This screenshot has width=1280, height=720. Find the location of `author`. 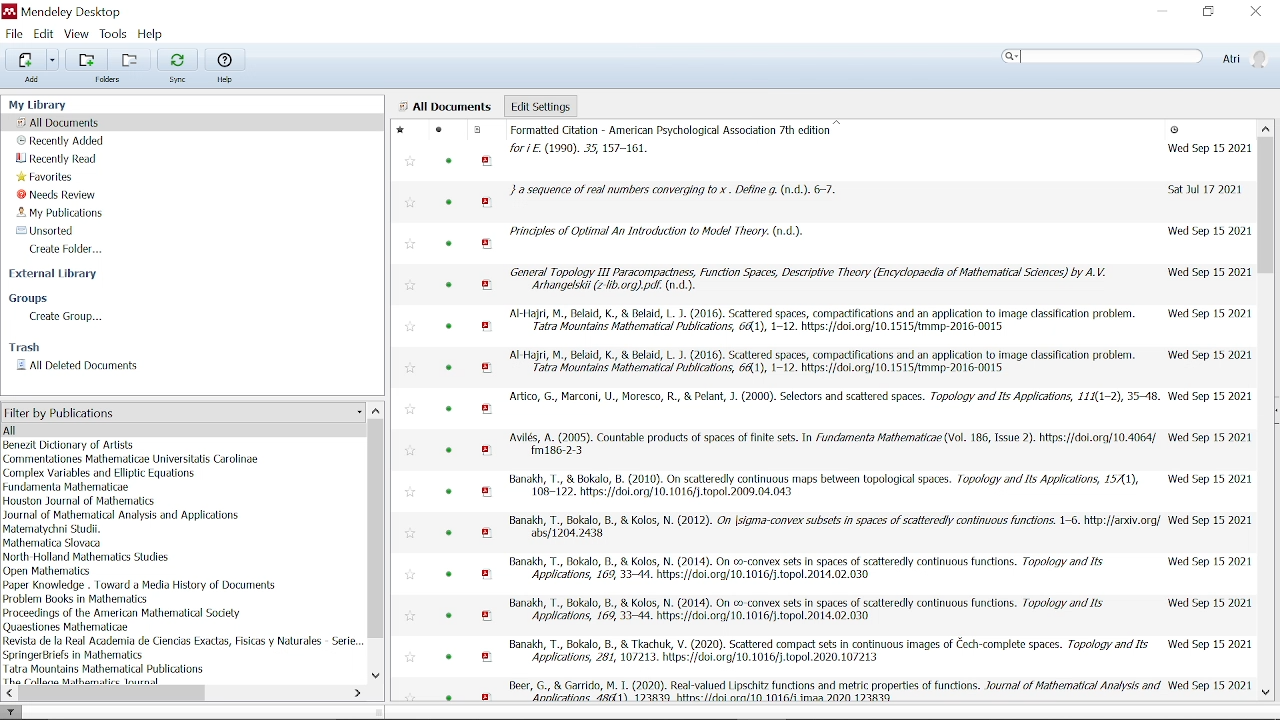

author is located at coordinates (86, 681).